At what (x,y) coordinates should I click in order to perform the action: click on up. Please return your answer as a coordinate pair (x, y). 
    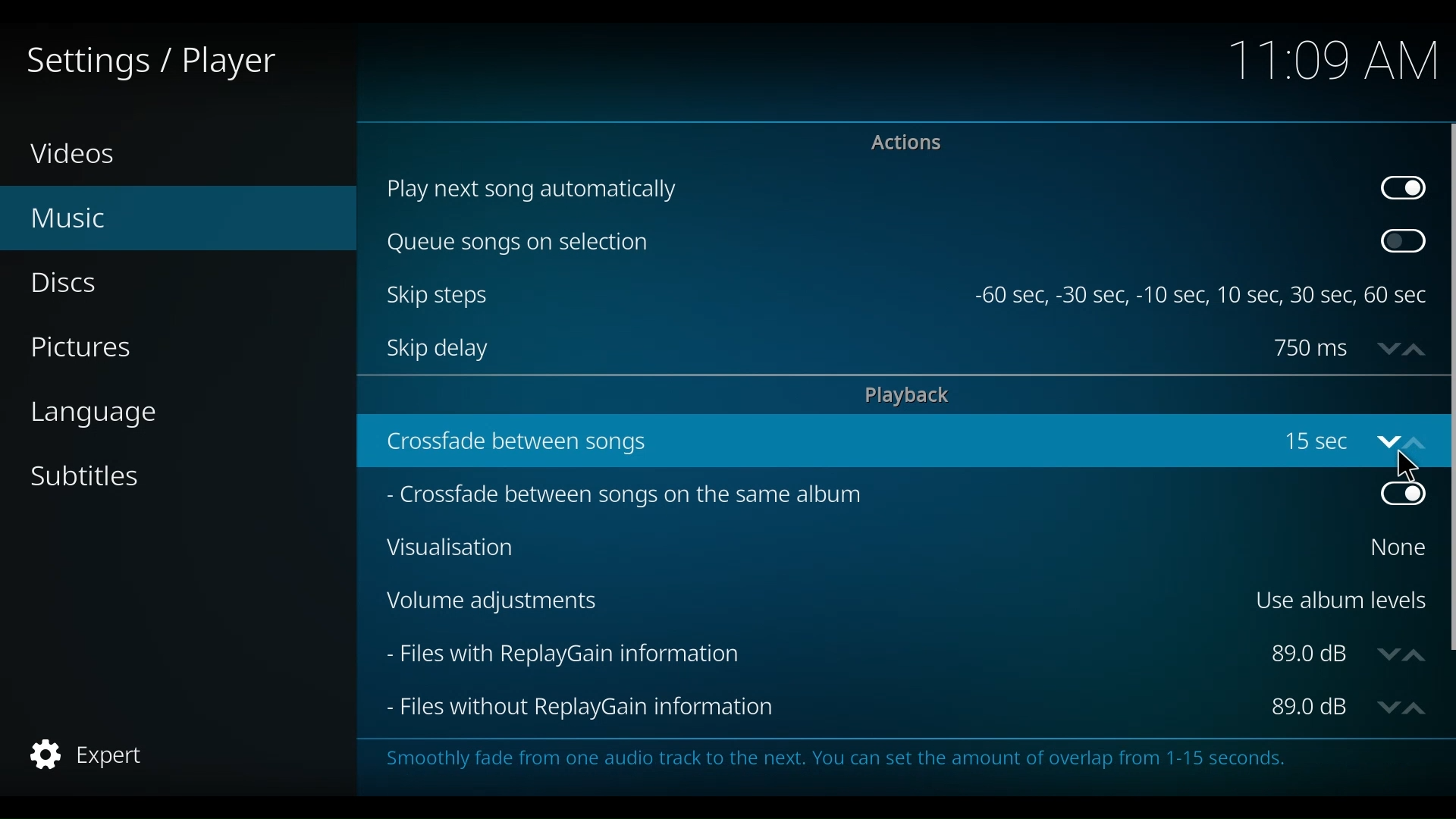
    Looking at the image, I should click on (1418, 444).